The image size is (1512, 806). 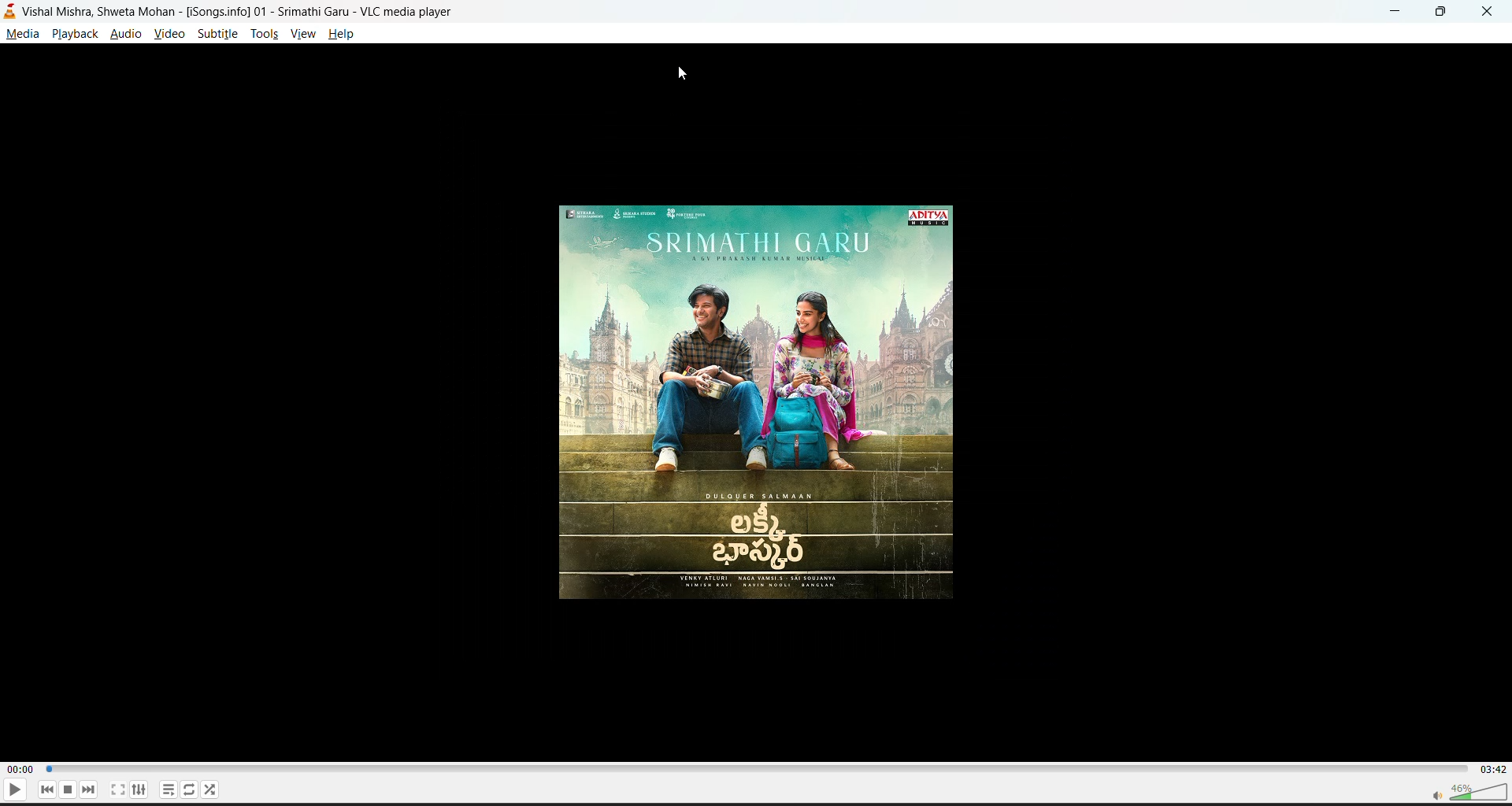 What do you see at coordinates (757, 405) in the screenshot?
I see `thumbnail` at bounding box center [757, 405].